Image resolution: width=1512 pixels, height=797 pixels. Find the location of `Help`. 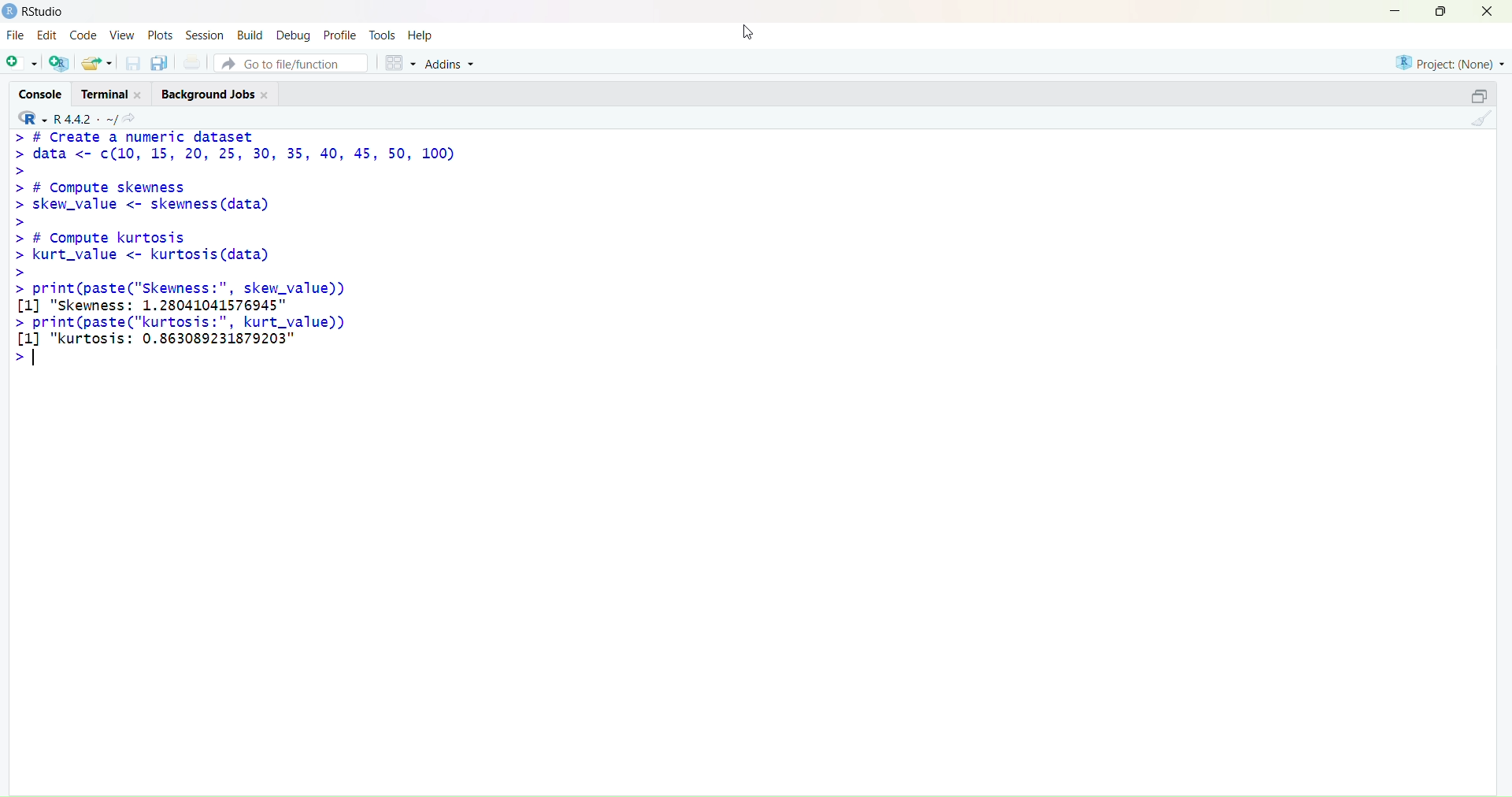

Help is located at coordinates (424, 34).